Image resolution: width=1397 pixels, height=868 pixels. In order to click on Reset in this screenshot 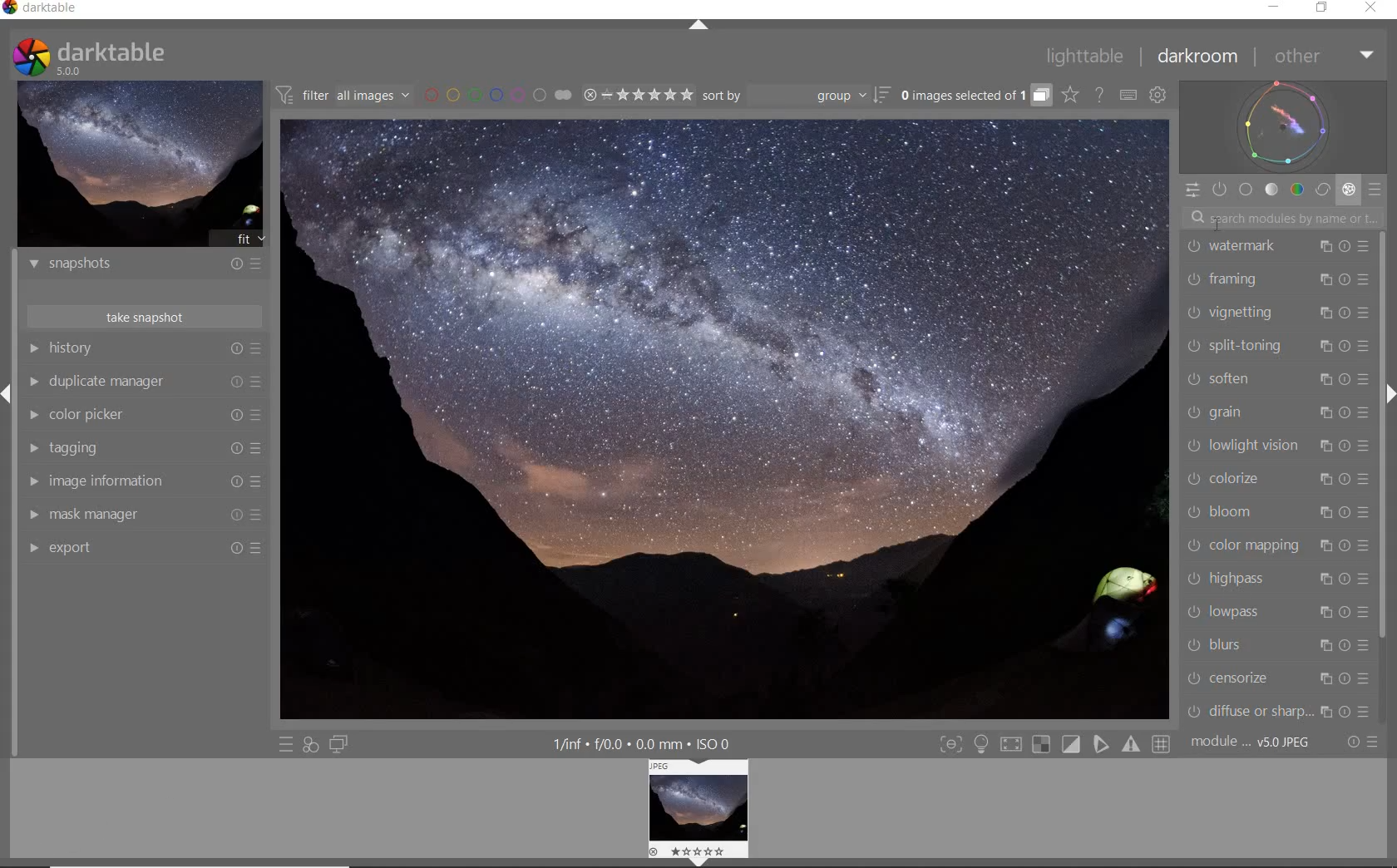, I will do `click(234, 448)`.